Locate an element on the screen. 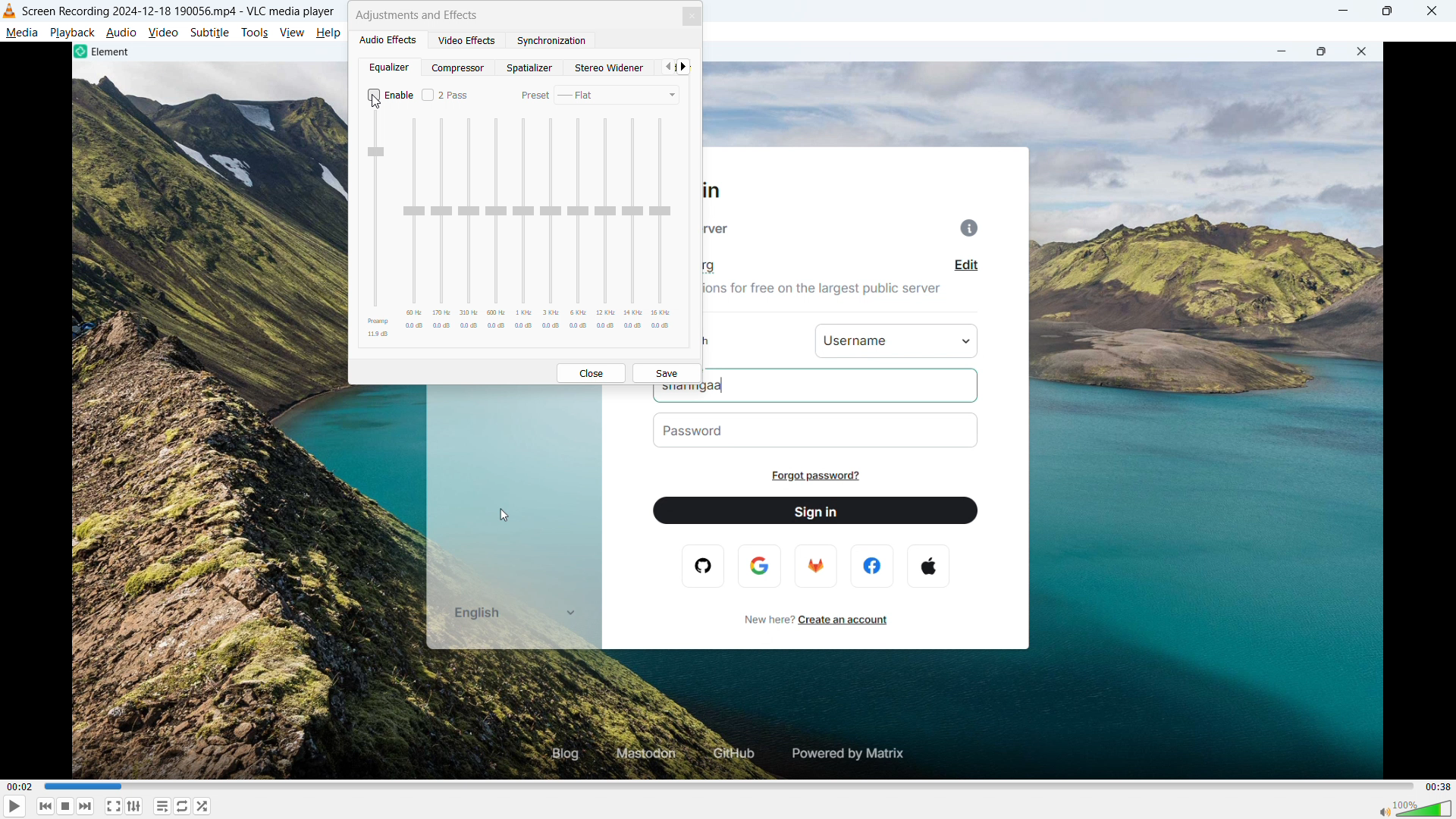 This screenshot has height=819, width=1456. shuffle is located at coordinates (203, 806).